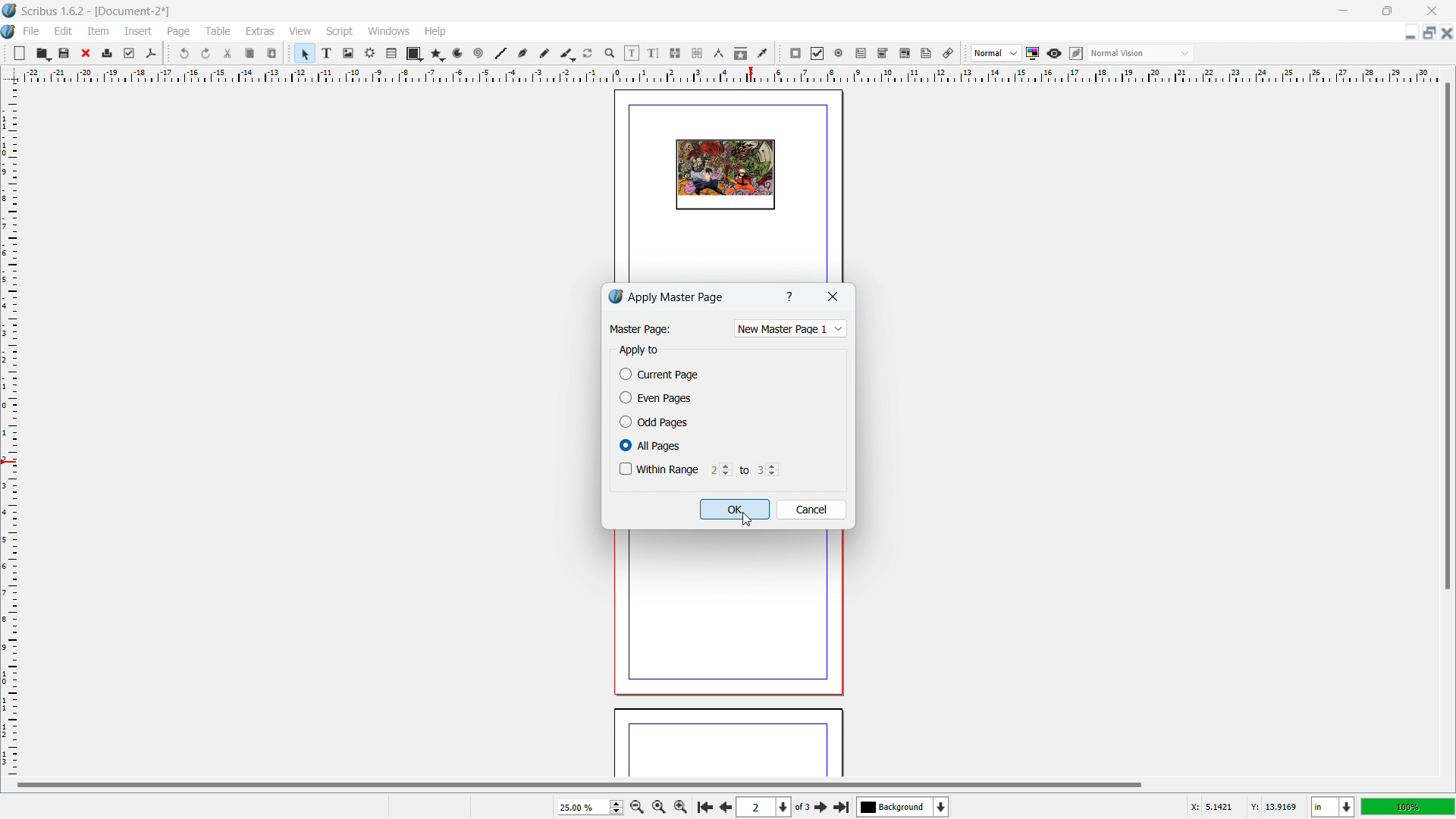 The width and height of the screenshot is (1456, 819). Describe the element at coordinates (579, 784) in the screenshot. I see `horizontal scrollbar` at that location.